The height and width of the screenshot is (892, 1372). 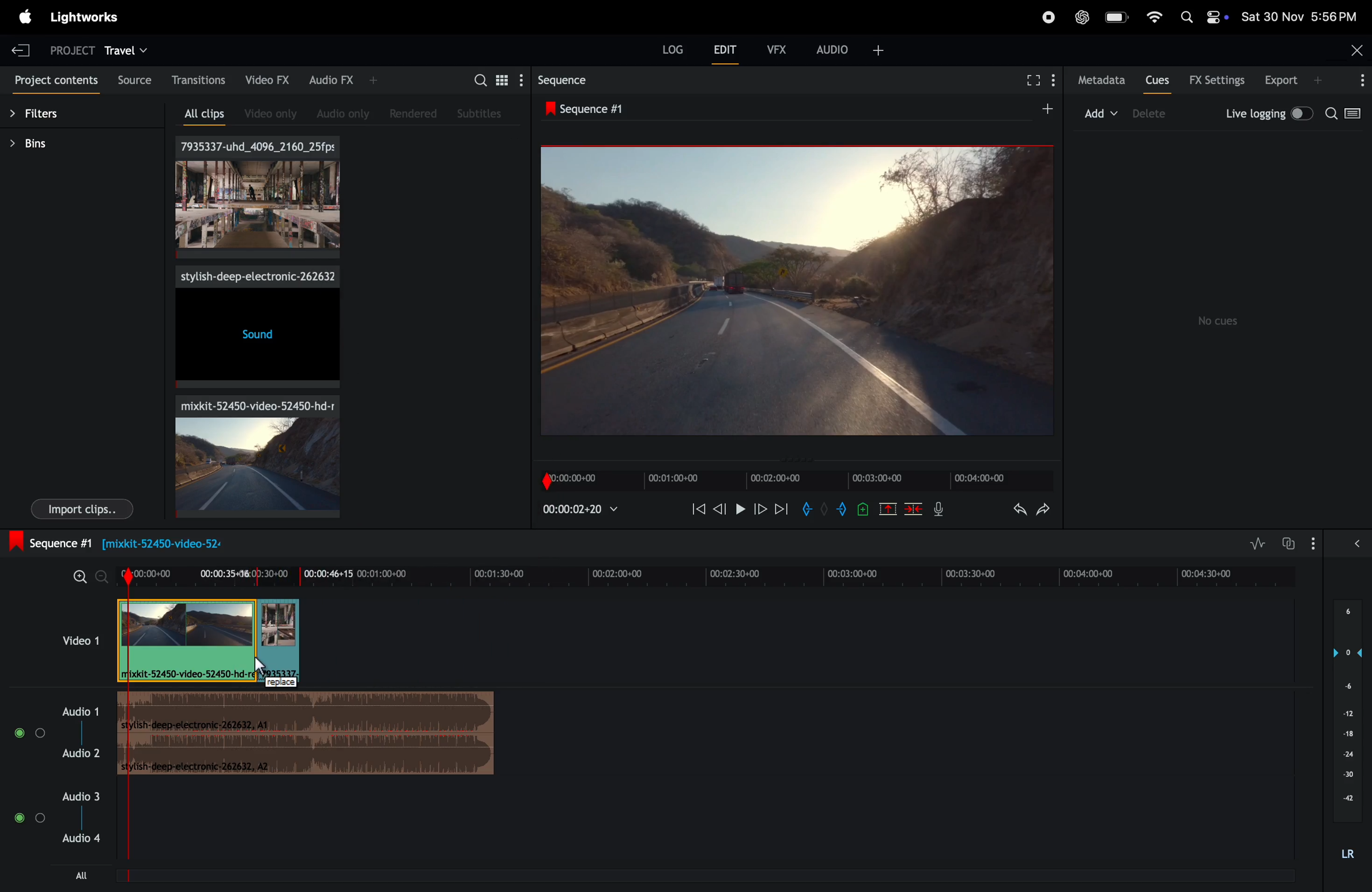 I want to click on rendered, so click(x=417, y=114).